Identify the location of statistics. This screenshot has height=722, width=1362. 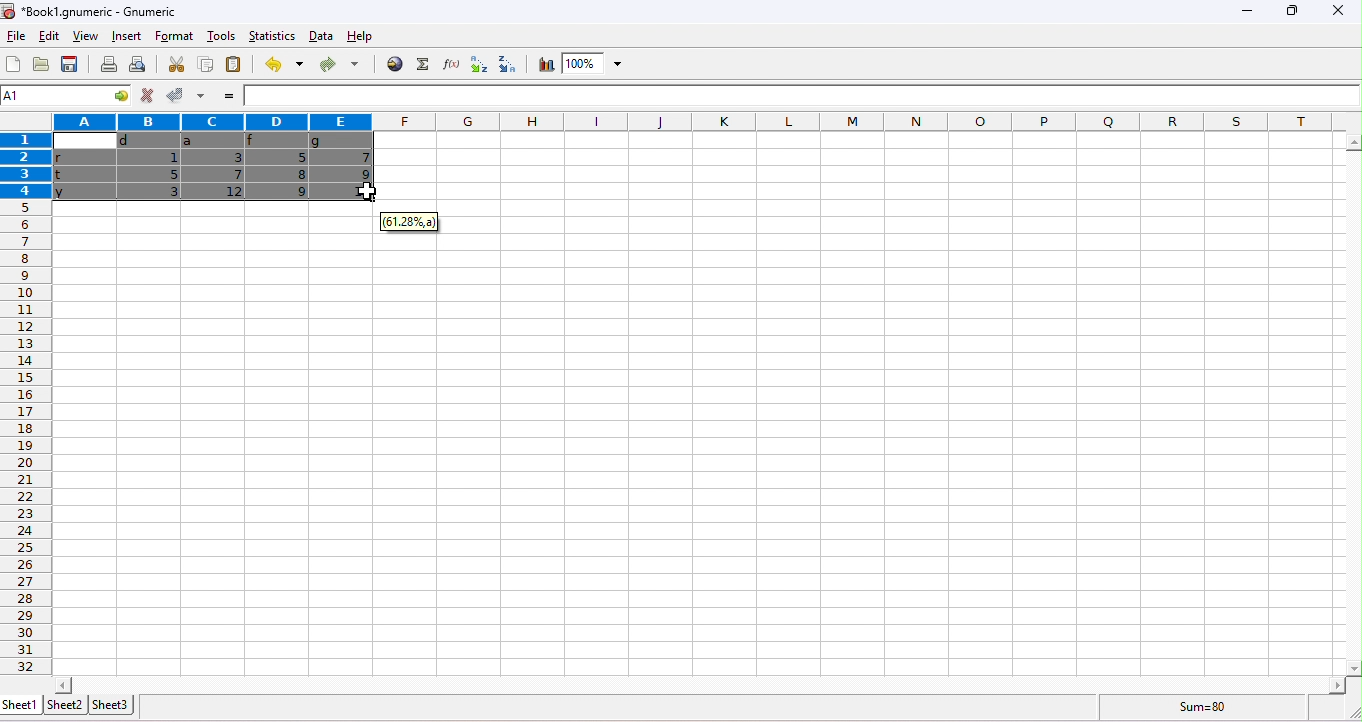
(272, 35).